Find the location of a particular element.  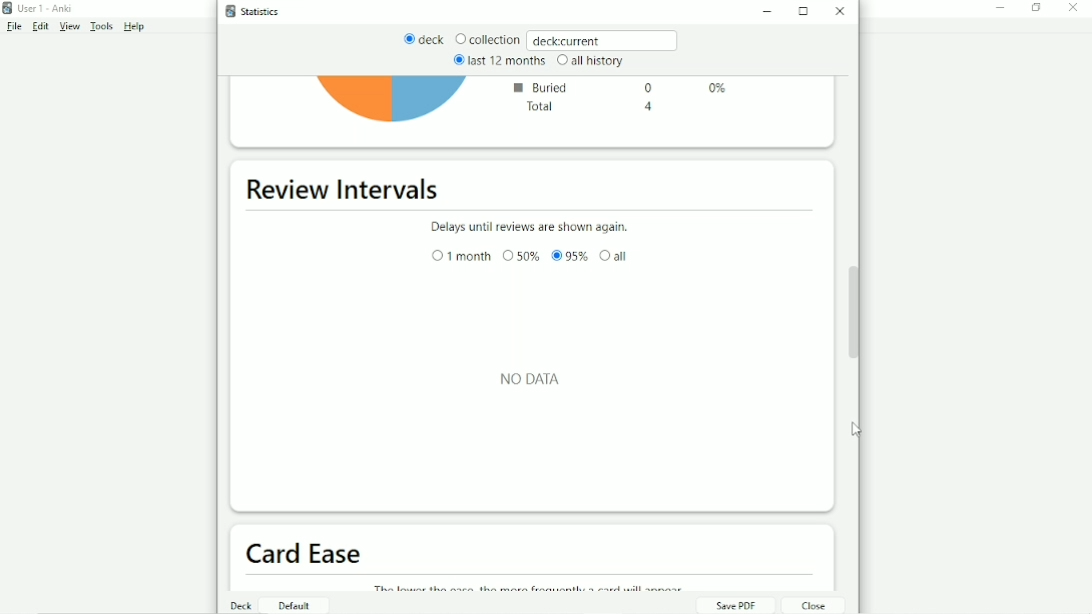

View is located at coordinates (70, 27).